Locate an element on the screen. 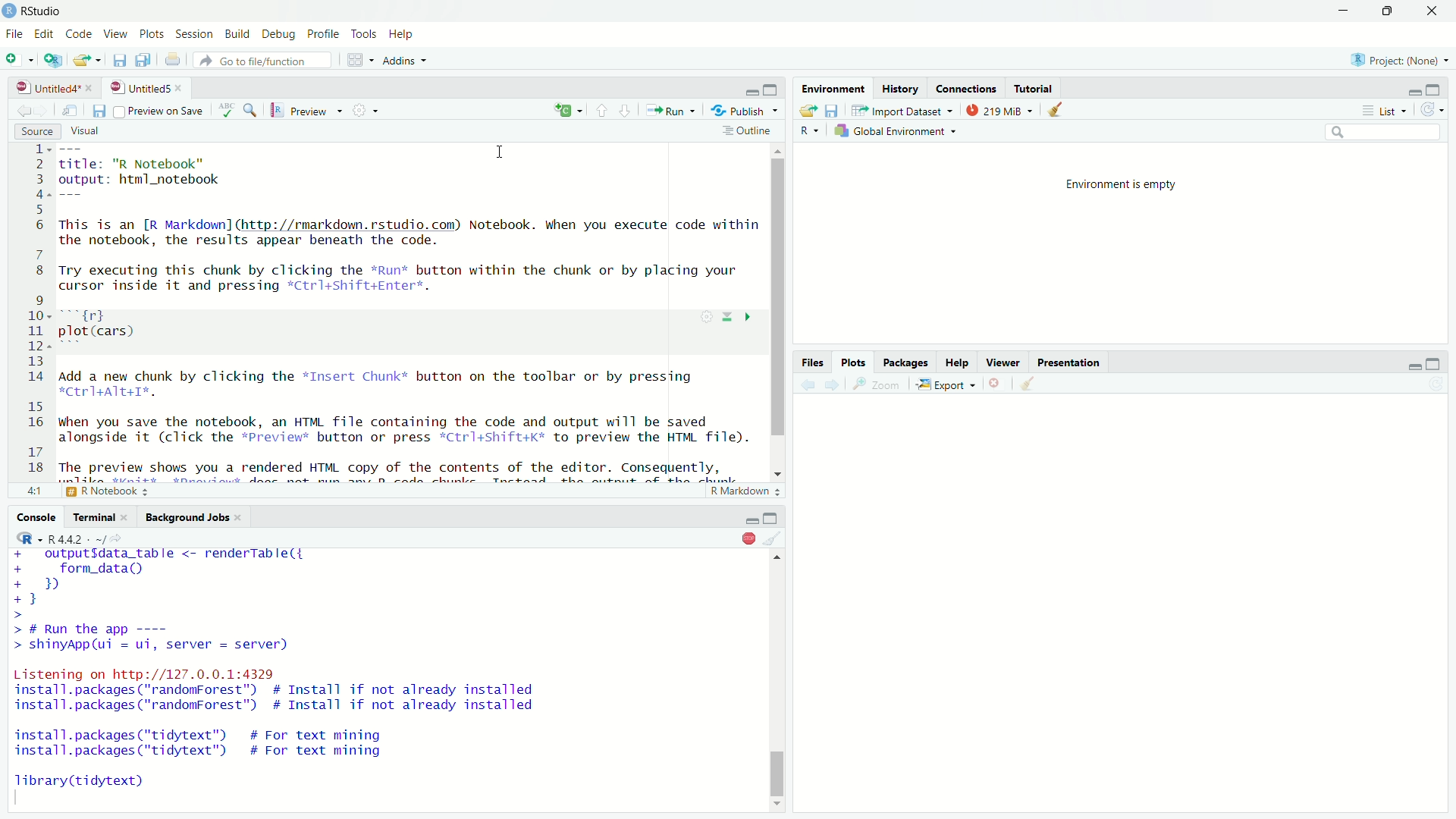 This screenshot has width=1456, height=819. Debug is located at coordinates (279, 35).